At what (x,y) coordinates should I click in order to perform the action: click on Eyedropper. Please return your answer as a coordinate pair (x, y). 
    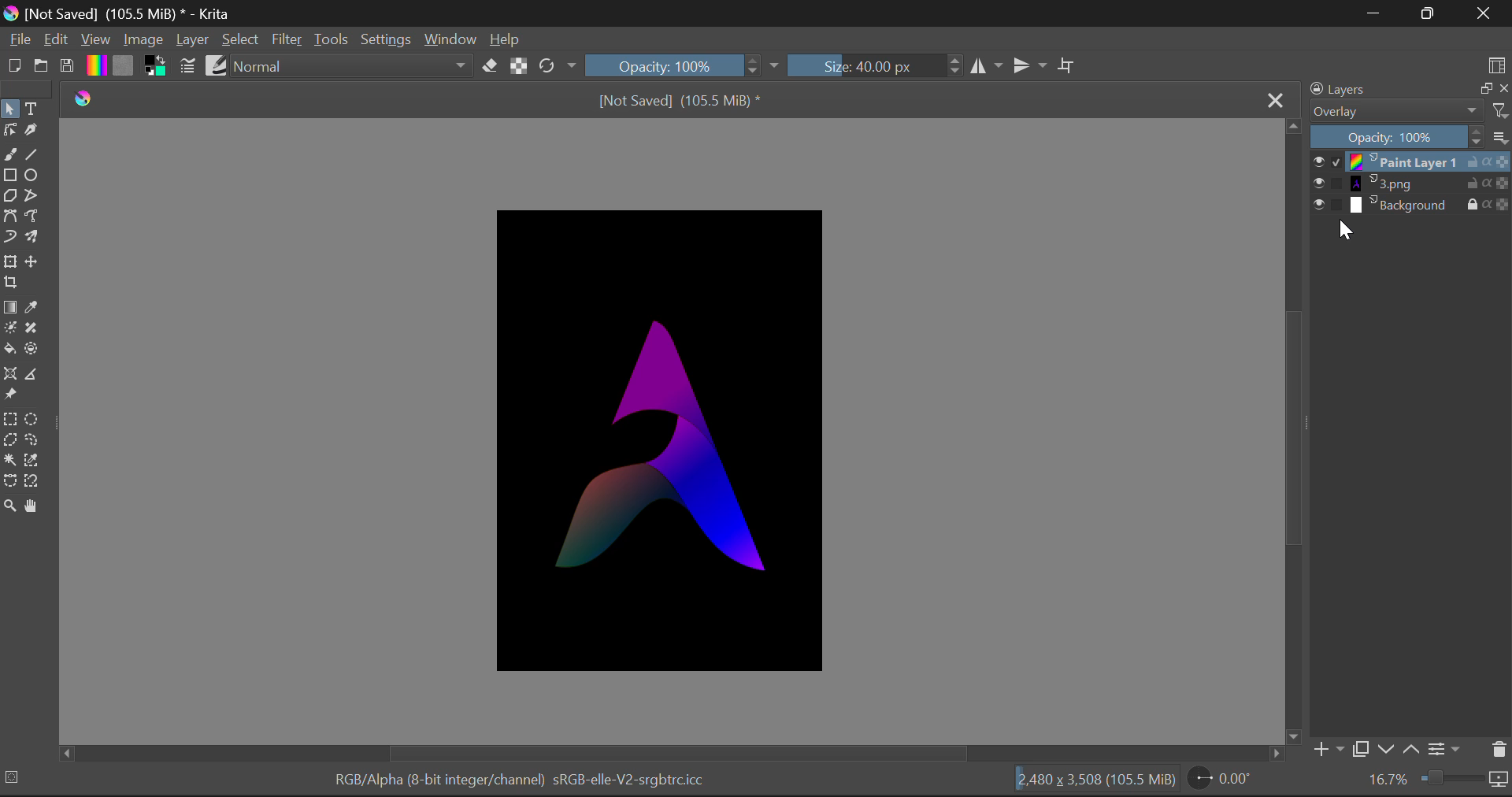
    Looking at the image, I should click on (35, 307).